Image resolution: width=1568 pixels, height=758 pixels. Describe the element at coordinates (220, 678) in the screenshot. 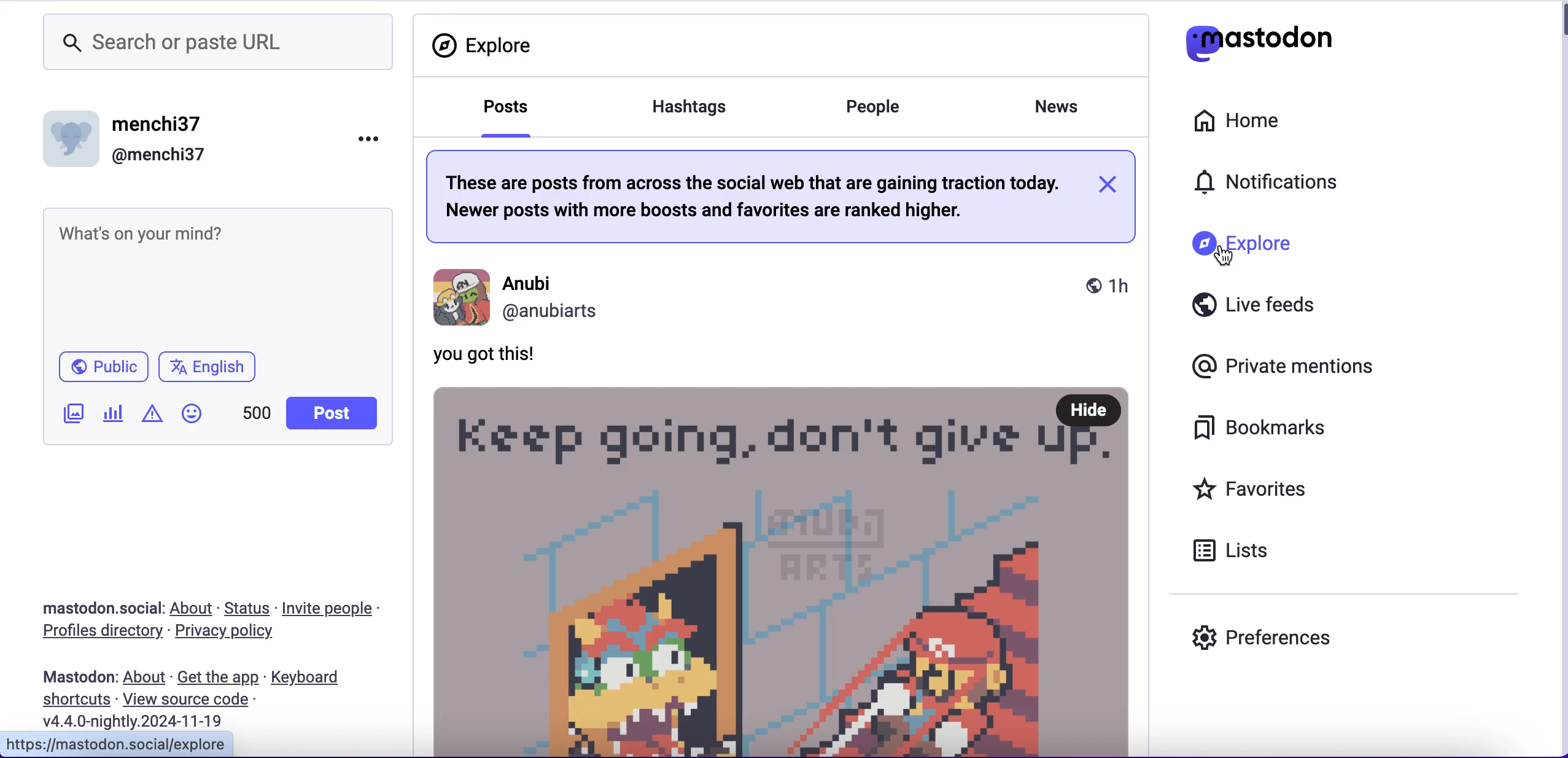

I see `get the app` at that location.